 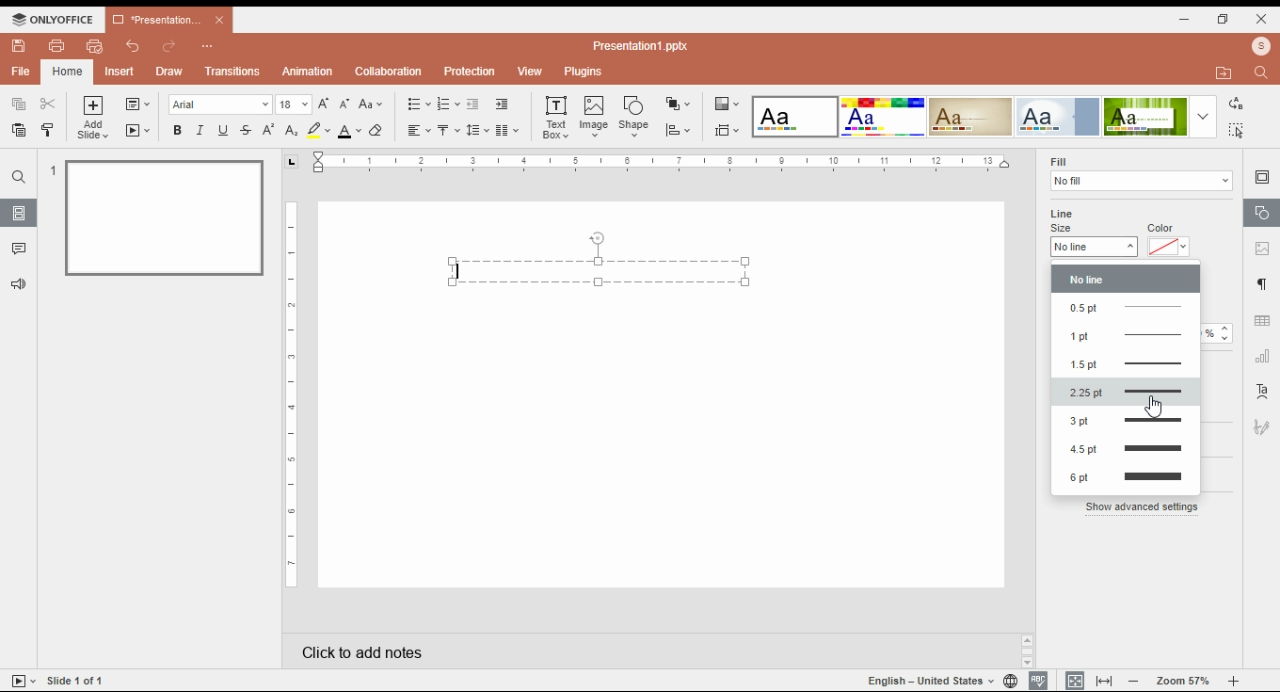 I want to click on tart slideshow, so click(x=24, y=680).